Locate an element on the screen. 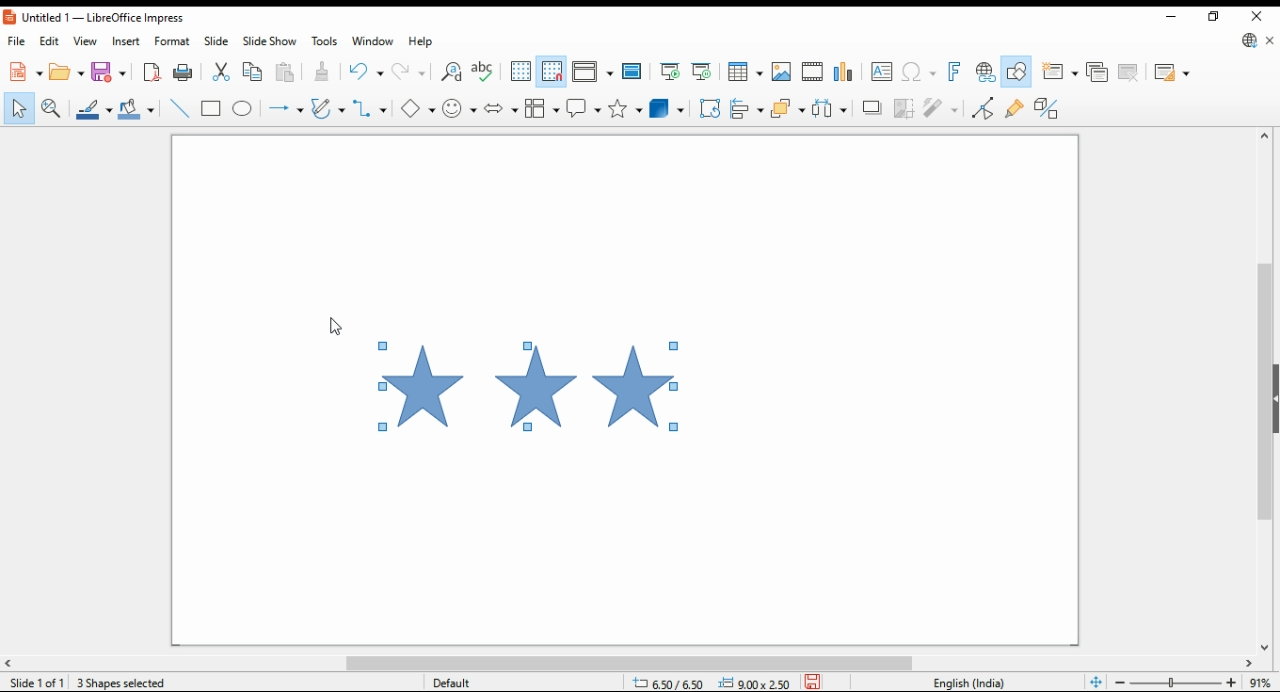 The height and width of the screenshot is (692, 1280). connectors is located at coordinates (369, 105).